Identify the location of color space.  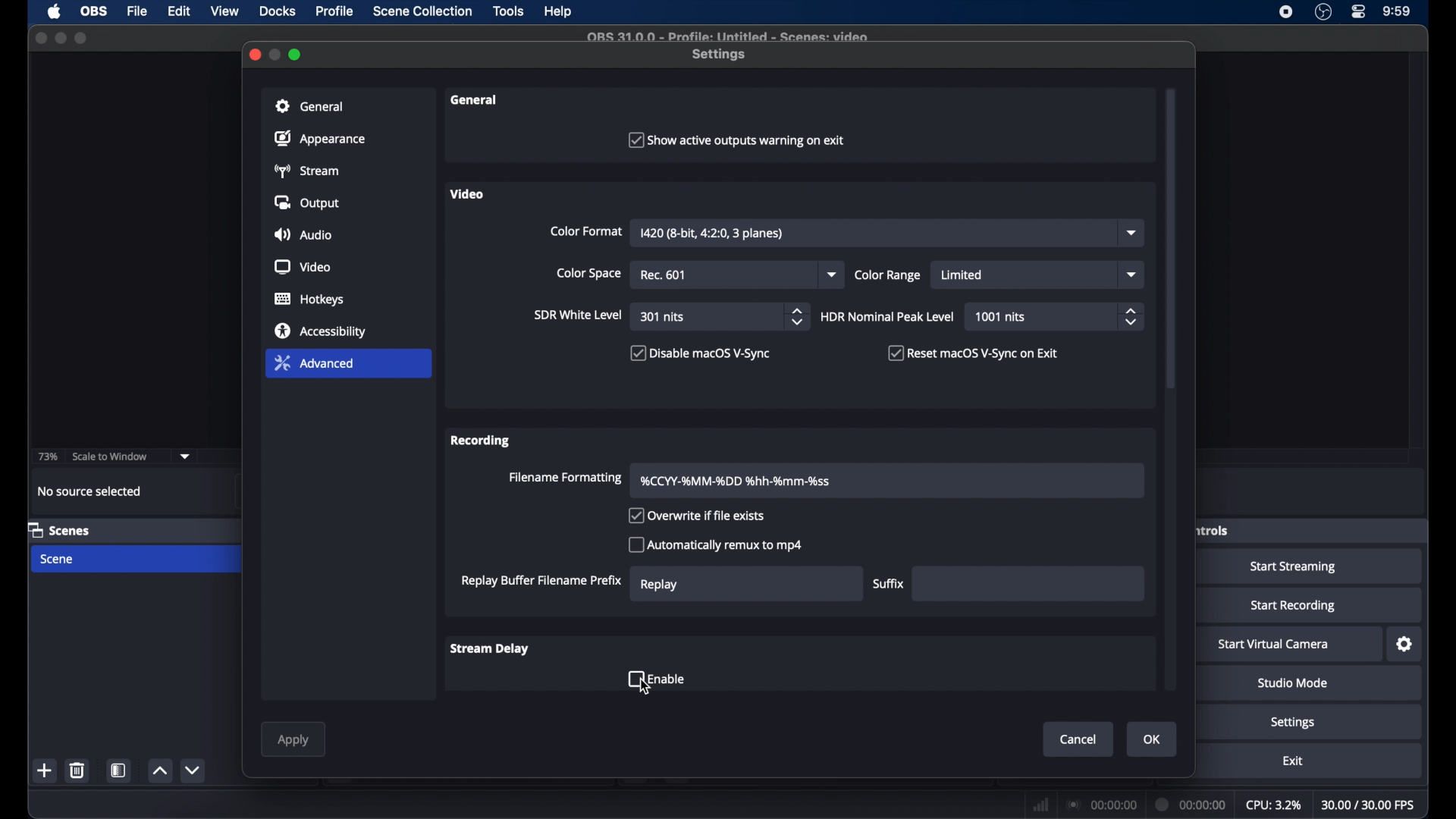
(588, 273).